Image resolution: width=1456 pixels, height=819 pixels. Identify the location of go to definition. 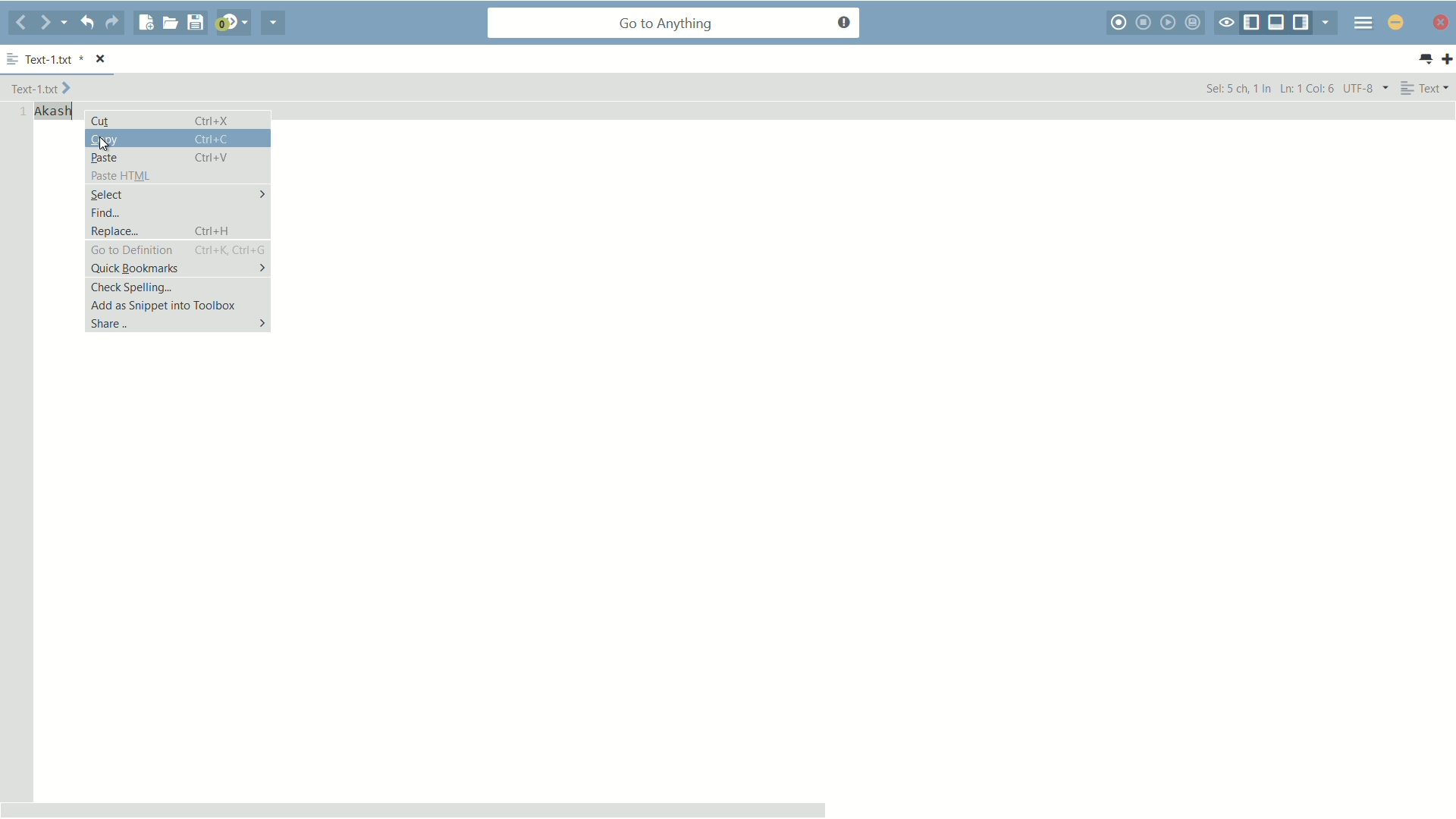
(176, 249).